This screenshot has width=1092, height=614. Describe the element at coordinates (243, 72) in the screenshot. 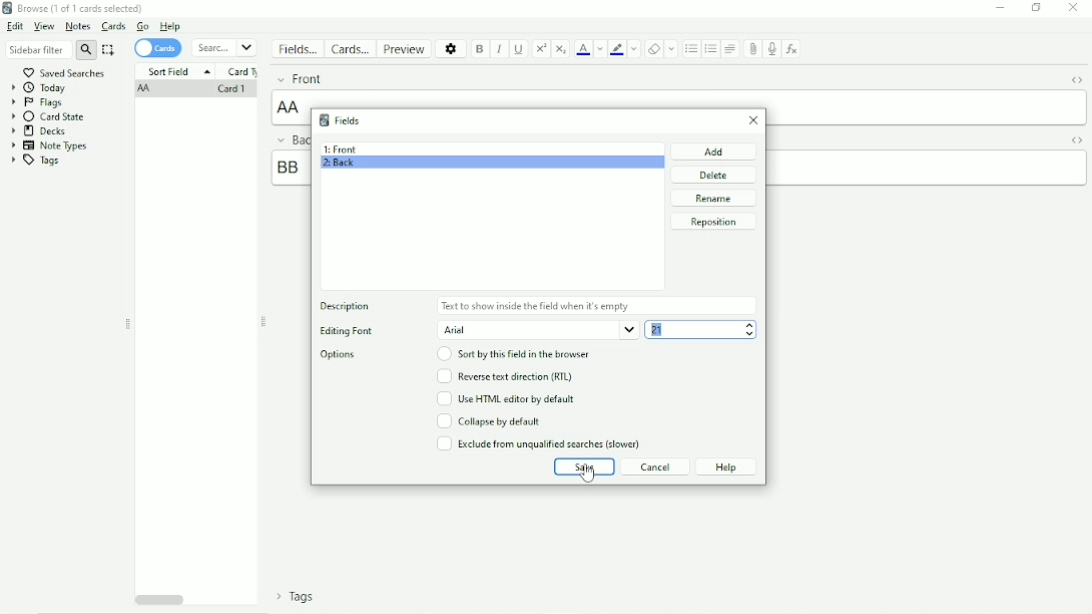

I see `Card Type` at that location.